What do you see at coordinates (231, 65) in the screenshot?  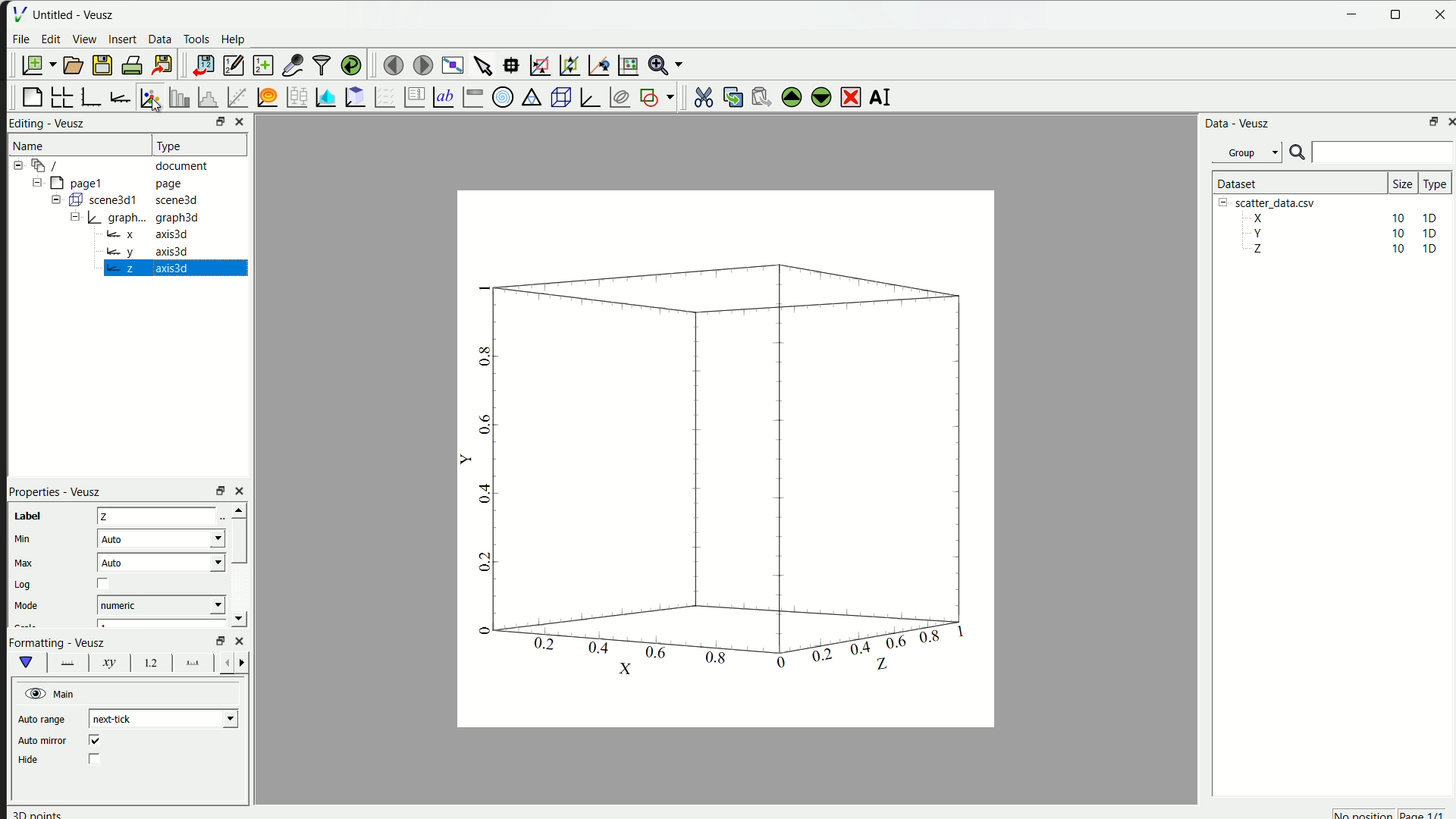 I see `editor` at bounding box center [231, 65].